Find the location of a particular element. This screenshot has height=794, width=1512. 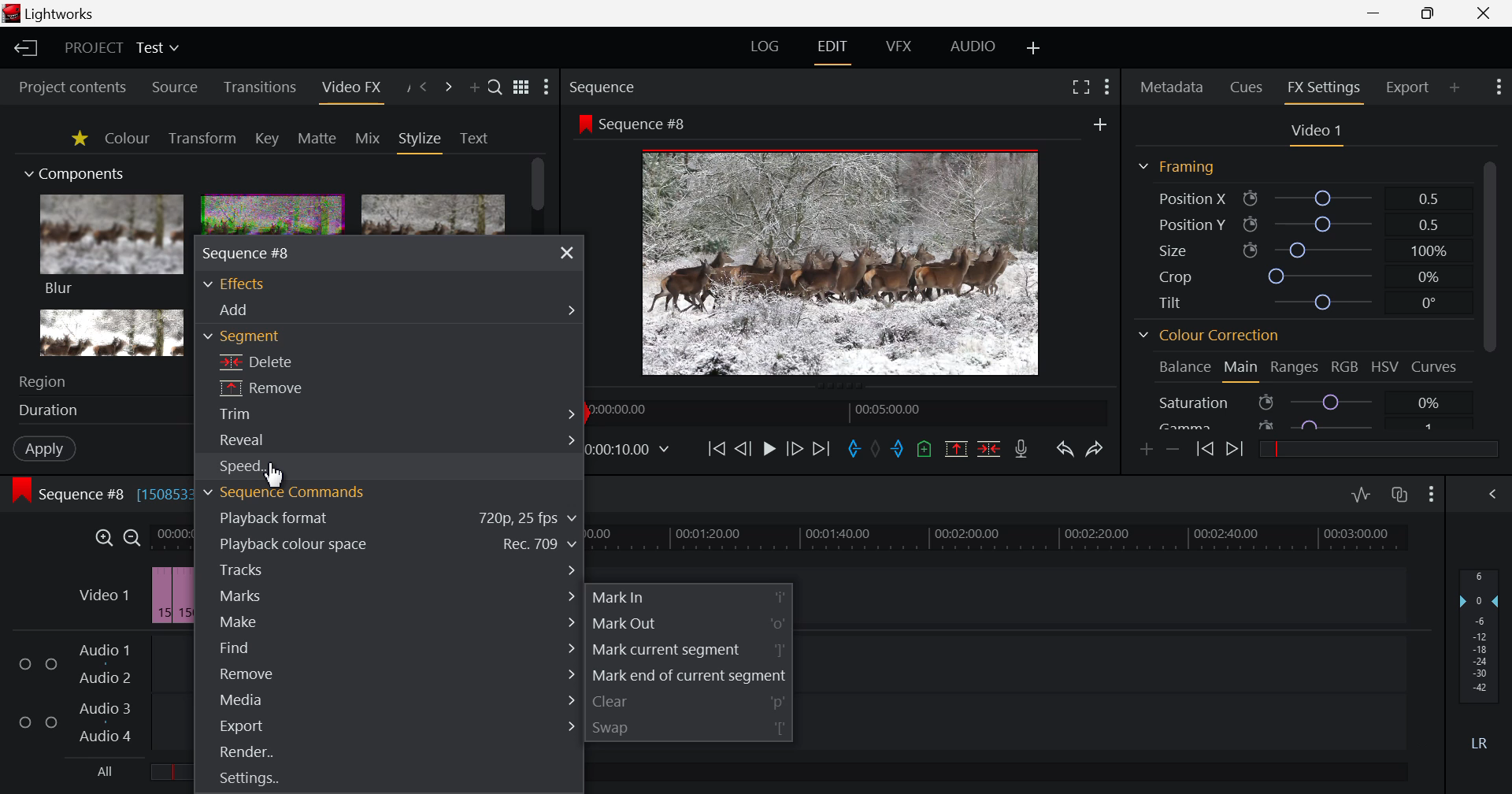

Add Panel is located at coordinates (474, 87).